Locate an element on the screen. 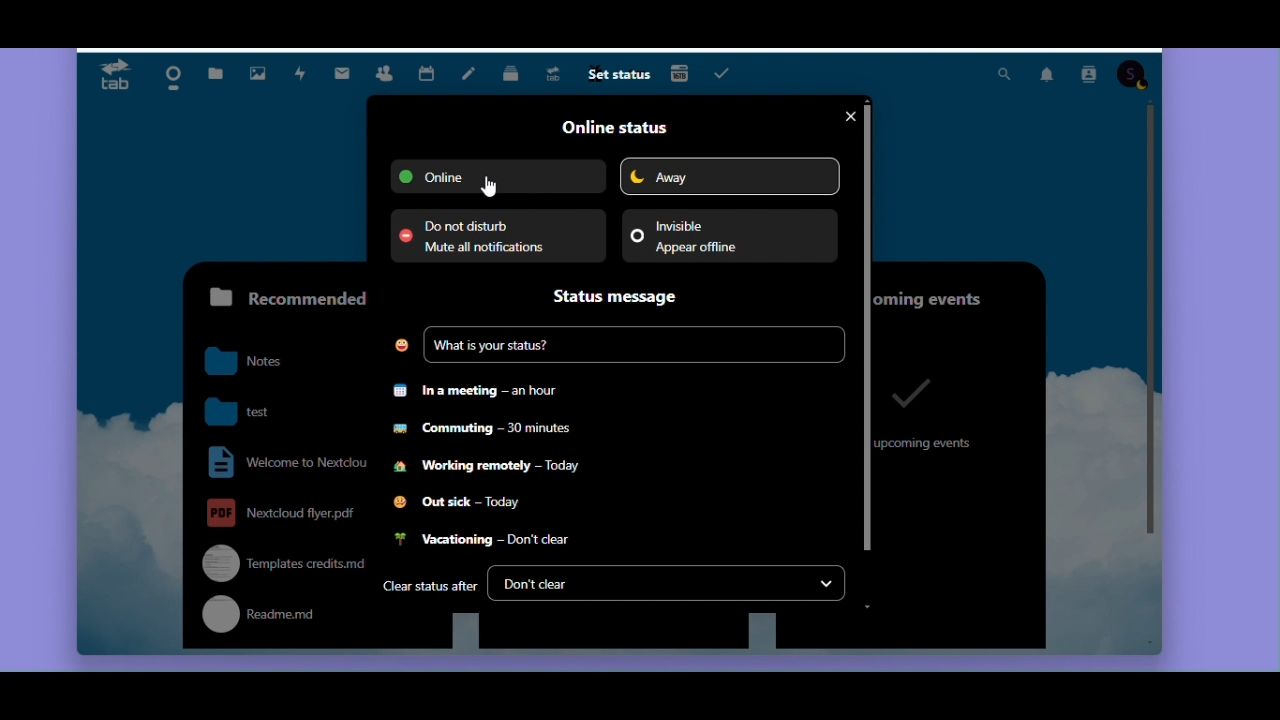 Image resolution: width=1280 pixels, height=720 pixels. Online is located at coordinates (498, 176).